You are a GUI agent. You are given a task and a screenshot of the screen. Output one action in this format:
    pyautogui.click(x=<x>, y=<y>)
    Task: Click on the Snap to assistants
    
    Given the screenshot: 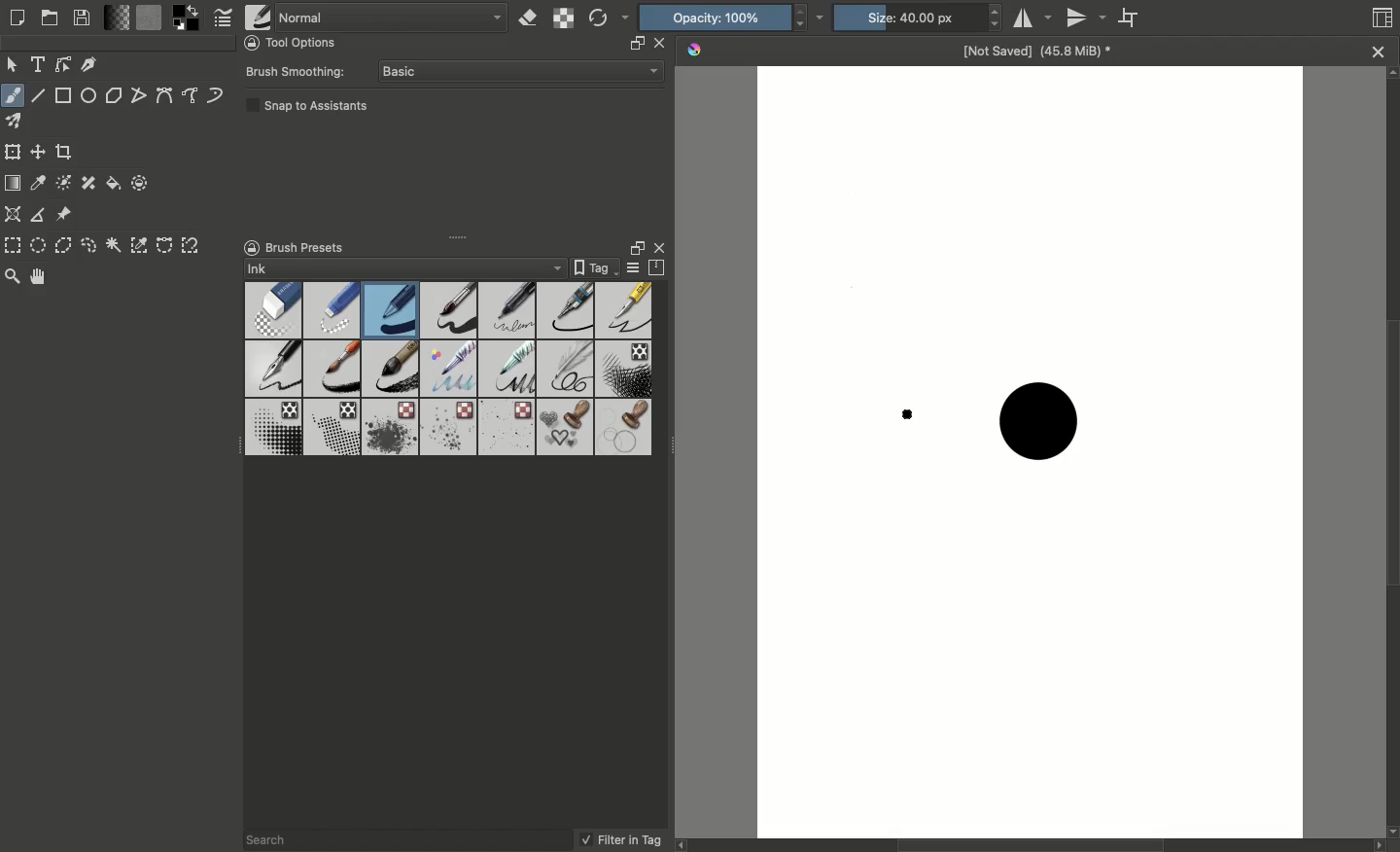 What is the action you would take?
    pyautogui.click(x=308, y=110)
    